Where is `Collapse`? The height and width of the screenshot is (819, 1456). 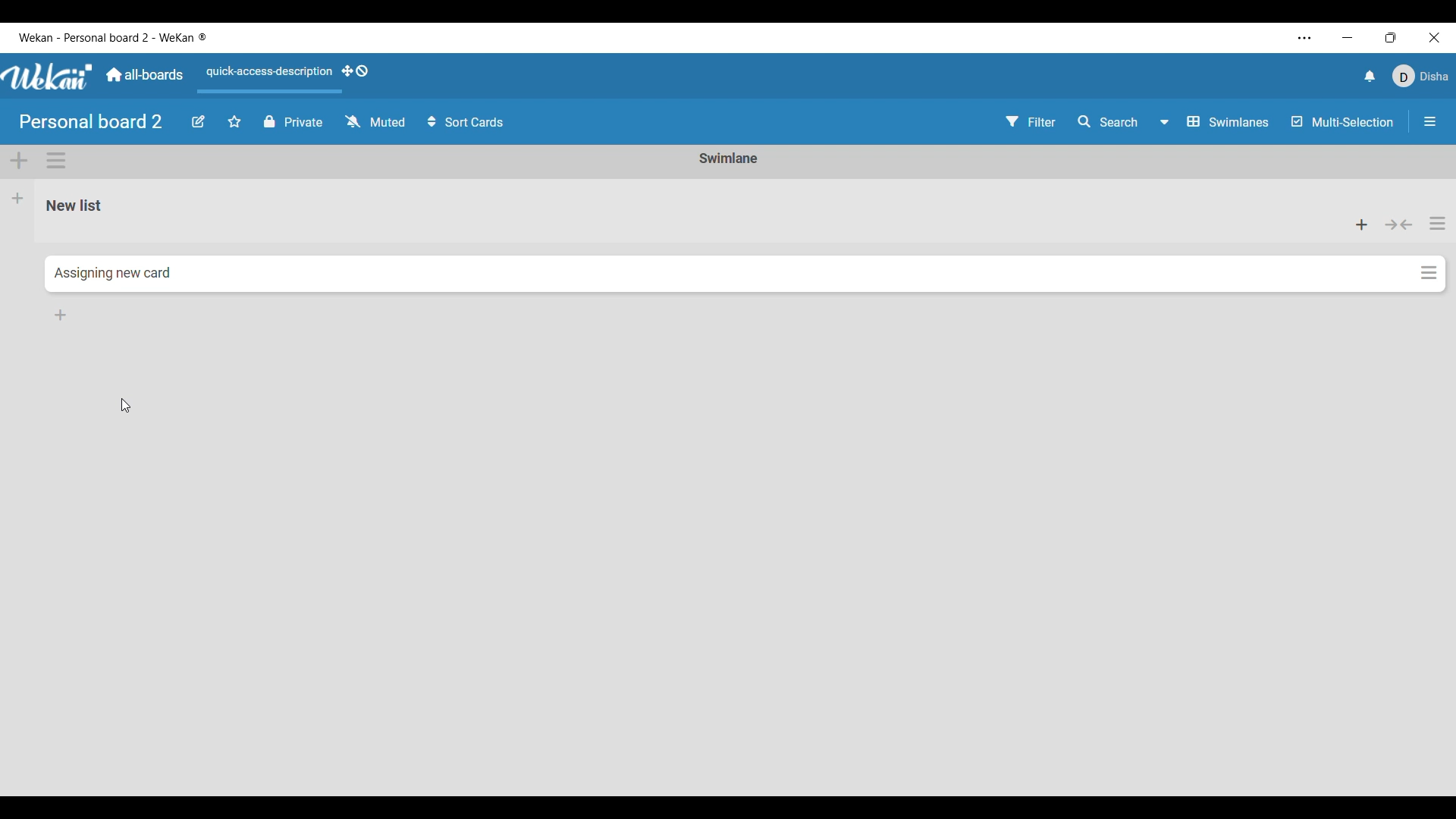 Collapse is located at coordinates (1399, 224).